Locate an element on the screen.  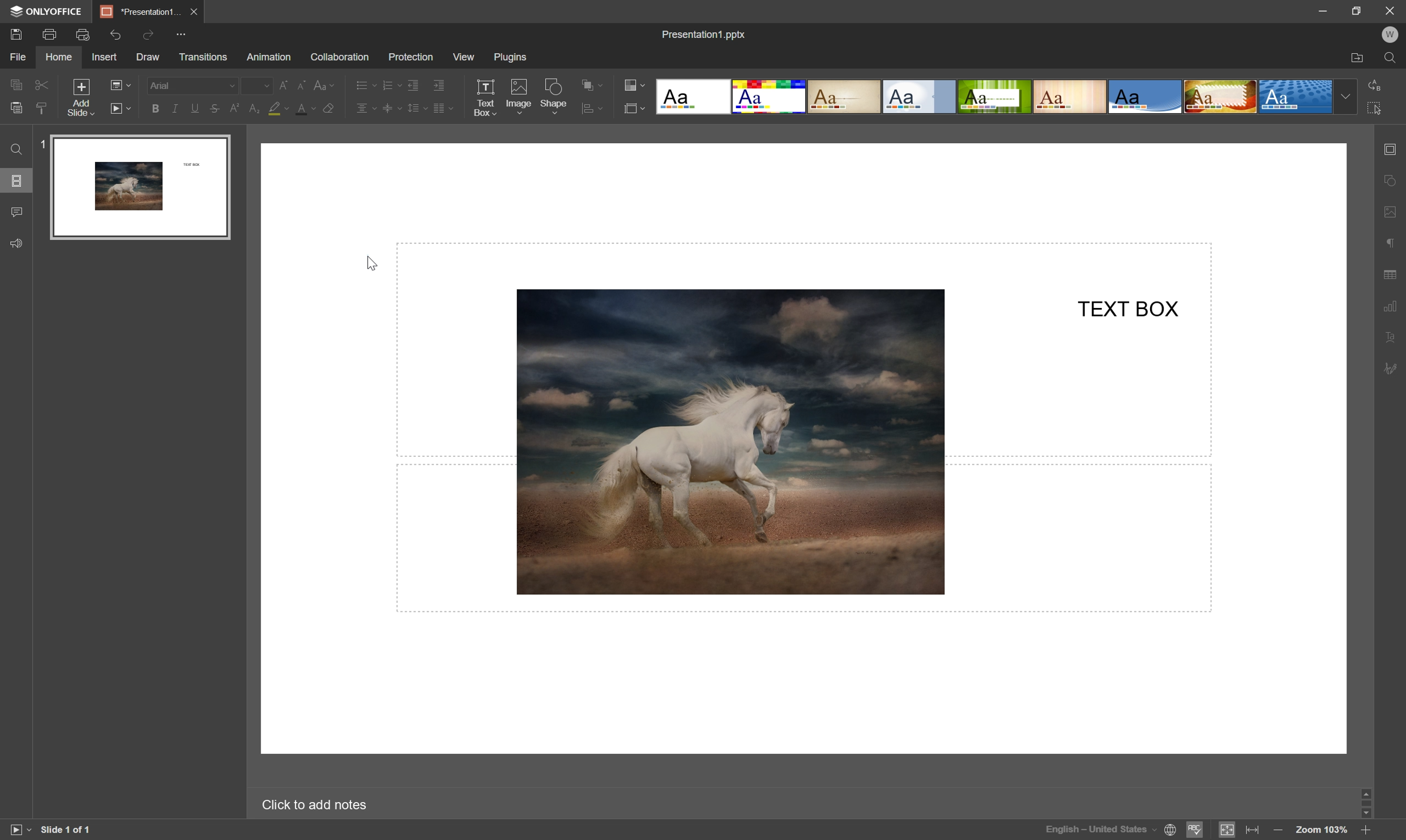
Safari is located at coordinates (1221, 98).